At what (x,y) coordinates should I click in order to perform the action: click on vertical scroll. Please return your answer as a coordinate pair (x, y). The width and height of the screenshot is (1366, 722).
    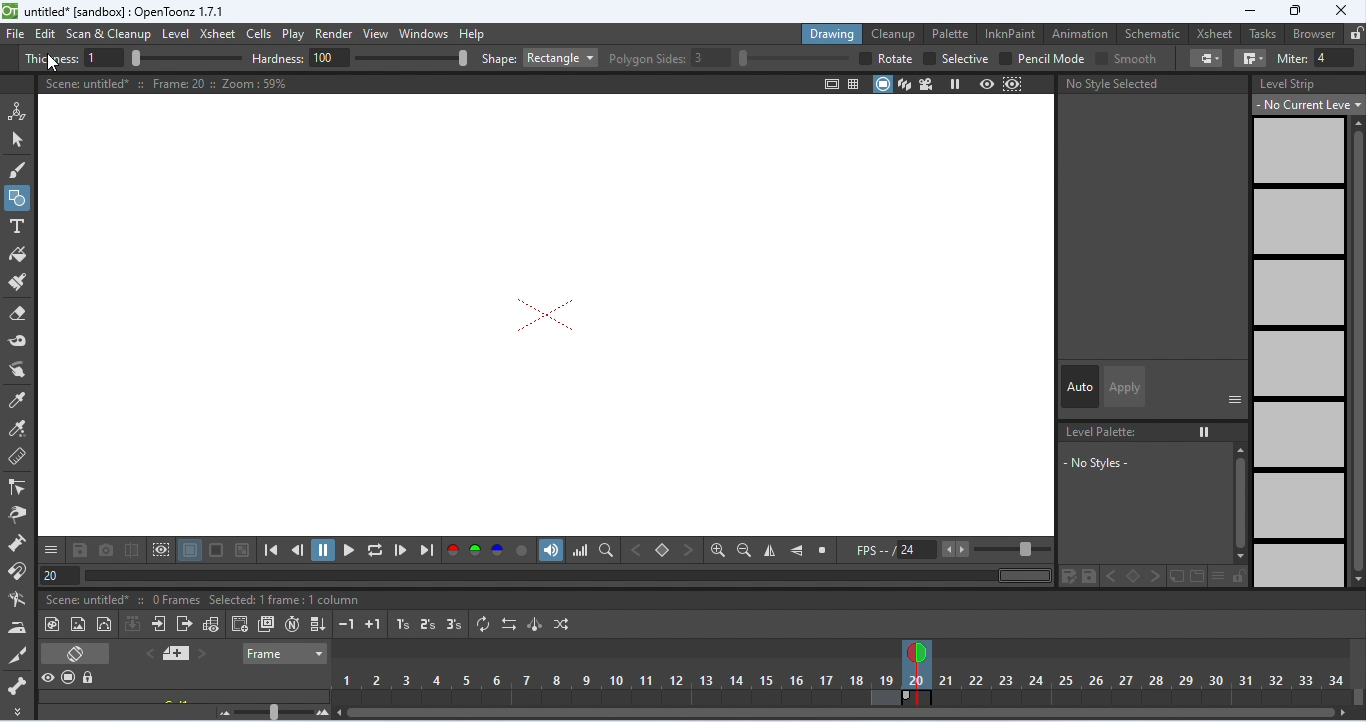
    Looking at the image, I should click on (1241, 497).